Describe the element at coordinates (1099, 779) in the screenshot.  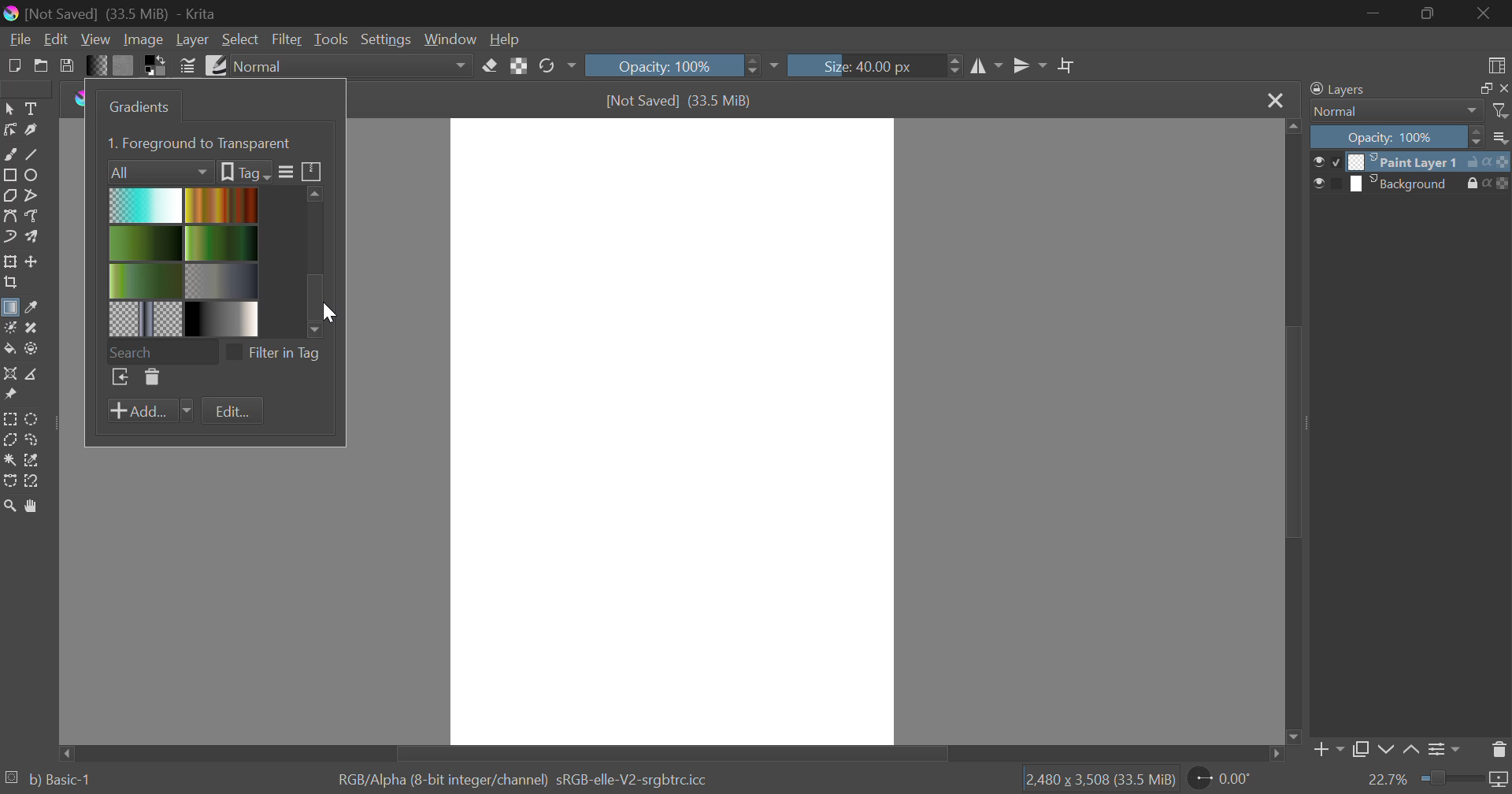
I see `12,480 x 3,508 (33.5 MiB)` at that location.